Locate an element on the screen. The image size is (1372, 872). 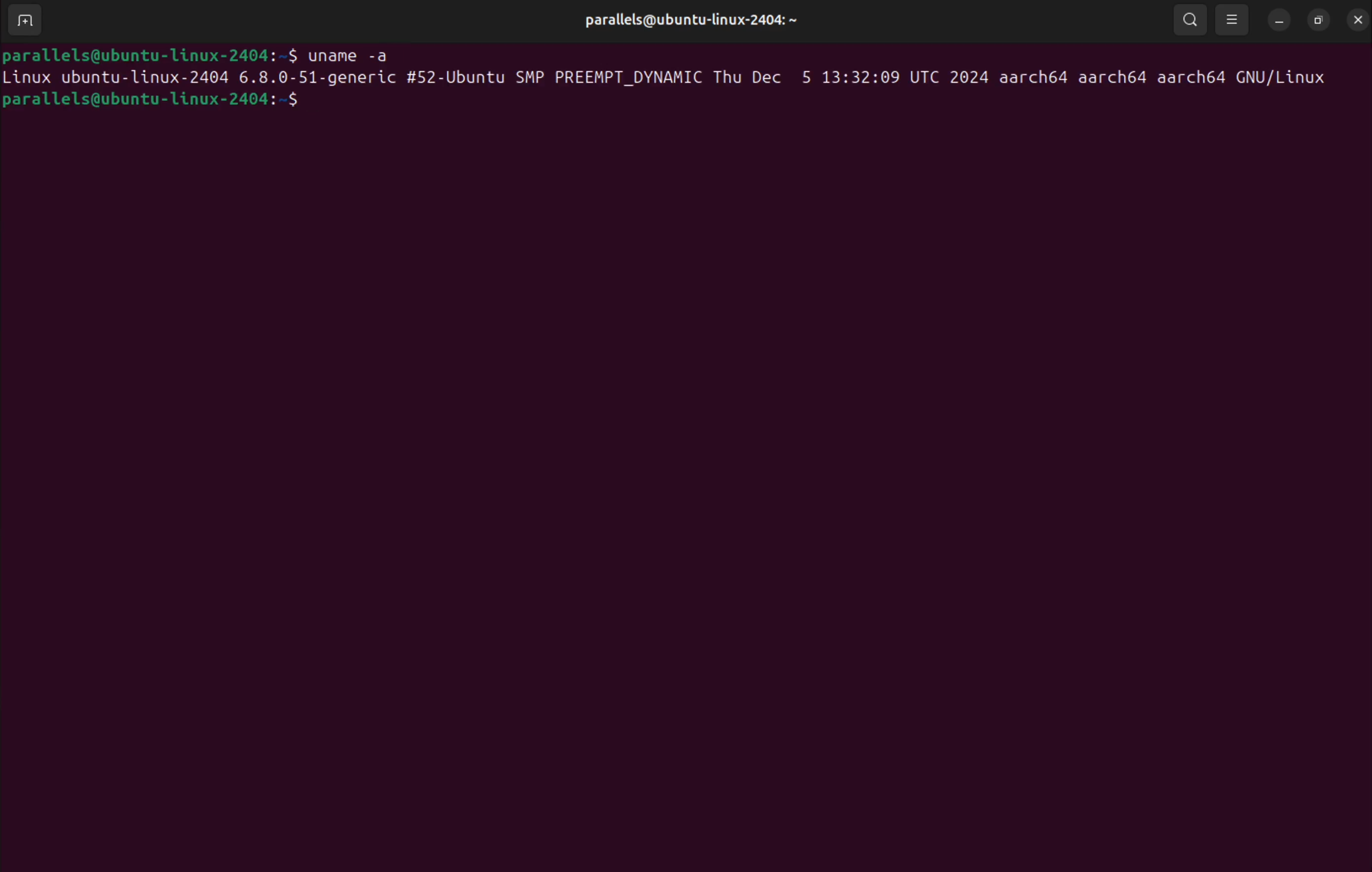
parallels@ubuntu-linux-2404:~ is located at coordinates (700, 20).